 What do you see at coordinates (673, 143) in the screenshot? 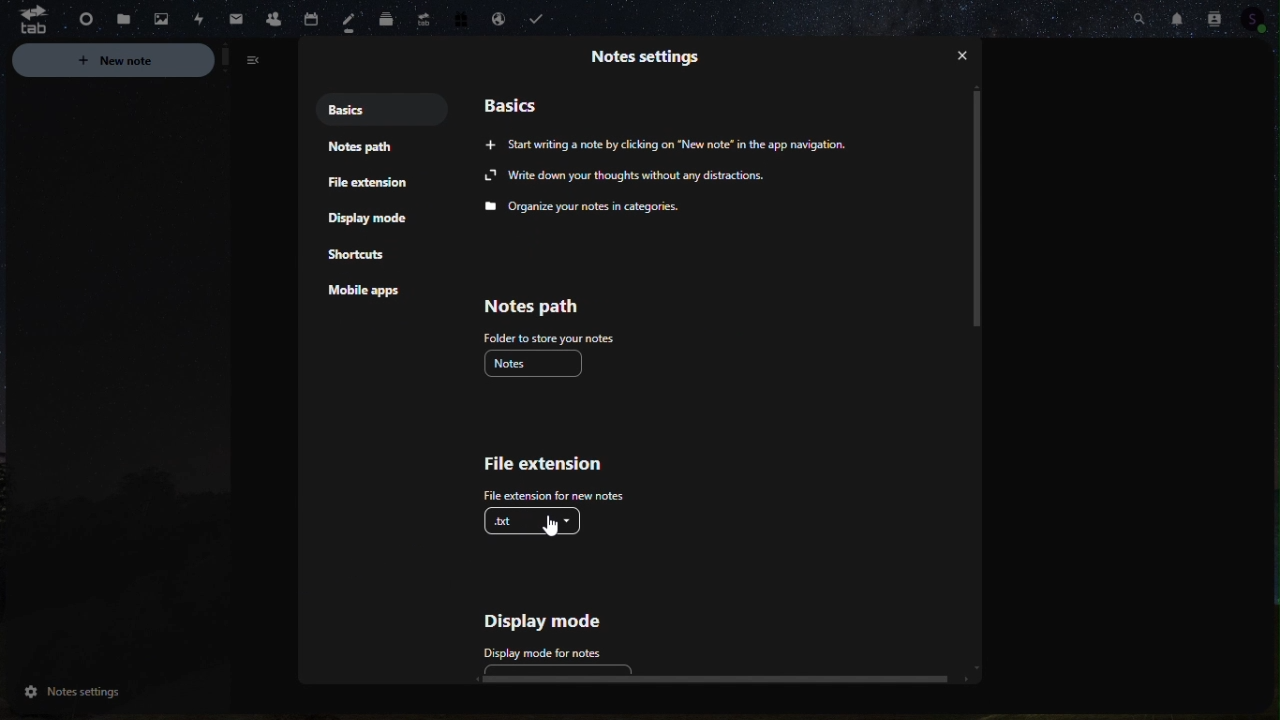
I see `Start writing a note` at bounding box center [673, 143].